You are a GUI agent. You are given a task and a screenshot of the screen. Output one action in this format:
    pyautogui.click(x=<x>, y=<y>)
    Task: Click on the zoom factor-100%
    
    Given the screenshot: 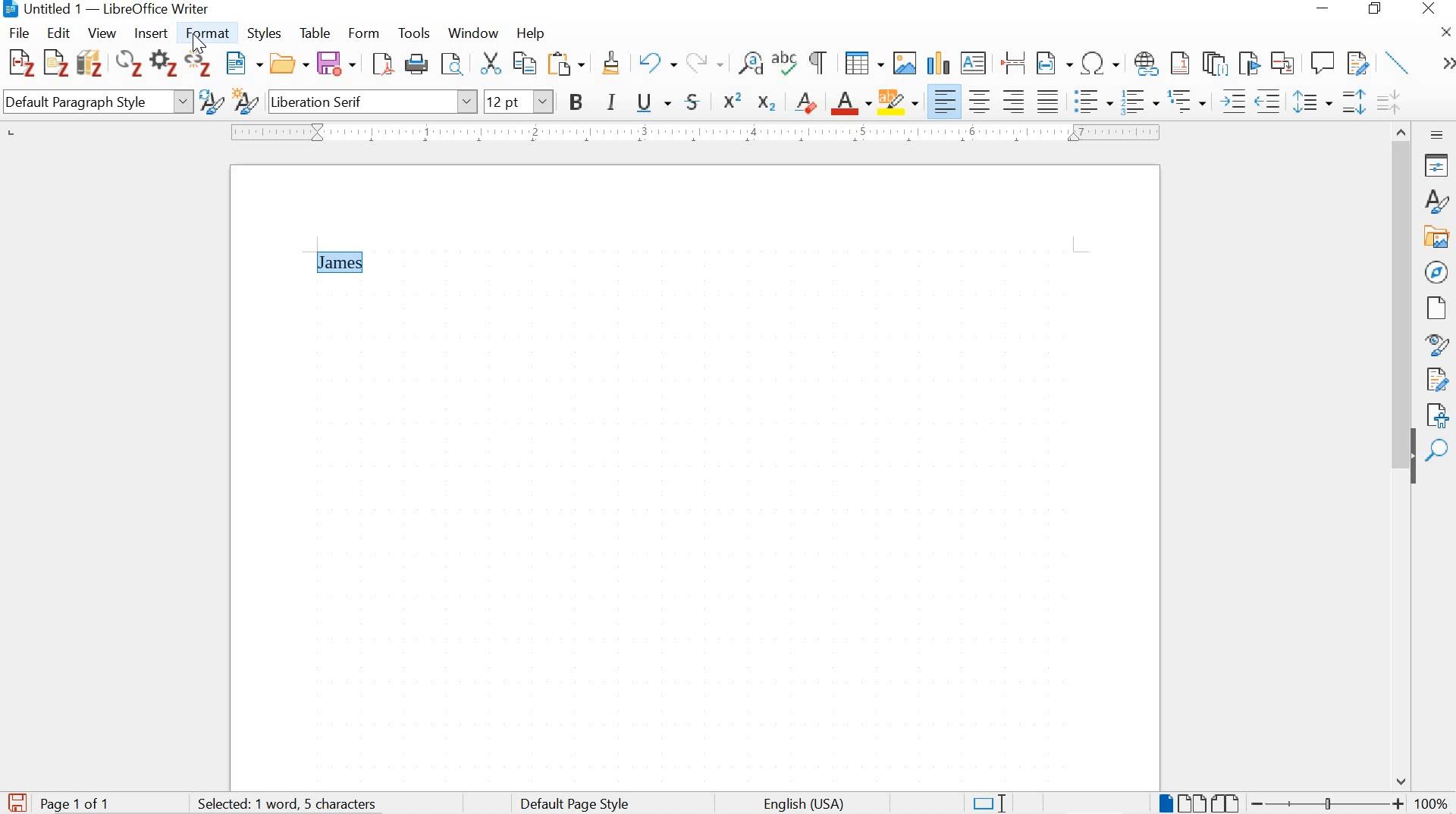 What is the action you would take?
    pyautogui.click(x=1432, y=803)
    